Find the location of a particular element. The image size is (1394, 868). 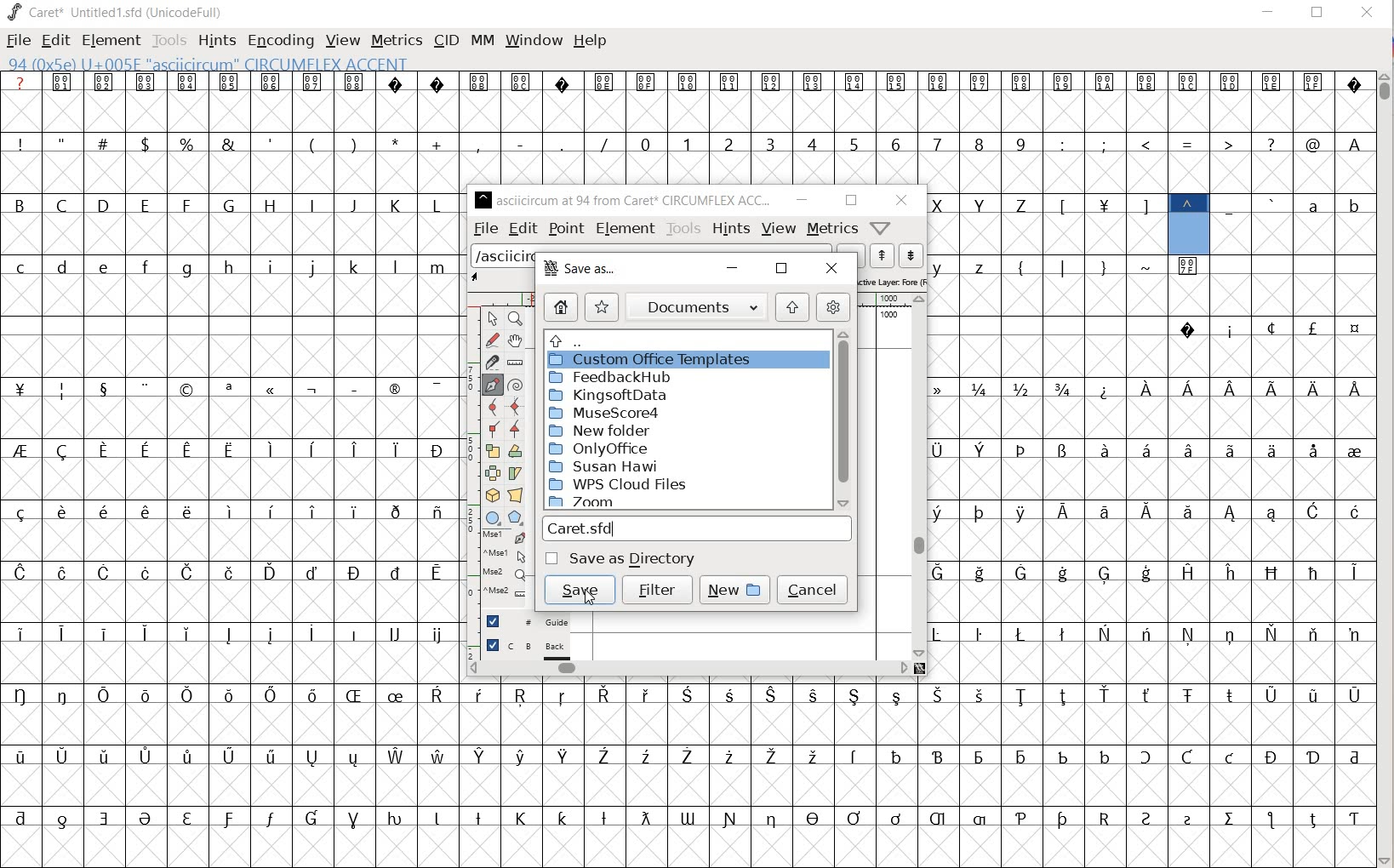

scroll by hand is located at coordinates (517, 340).